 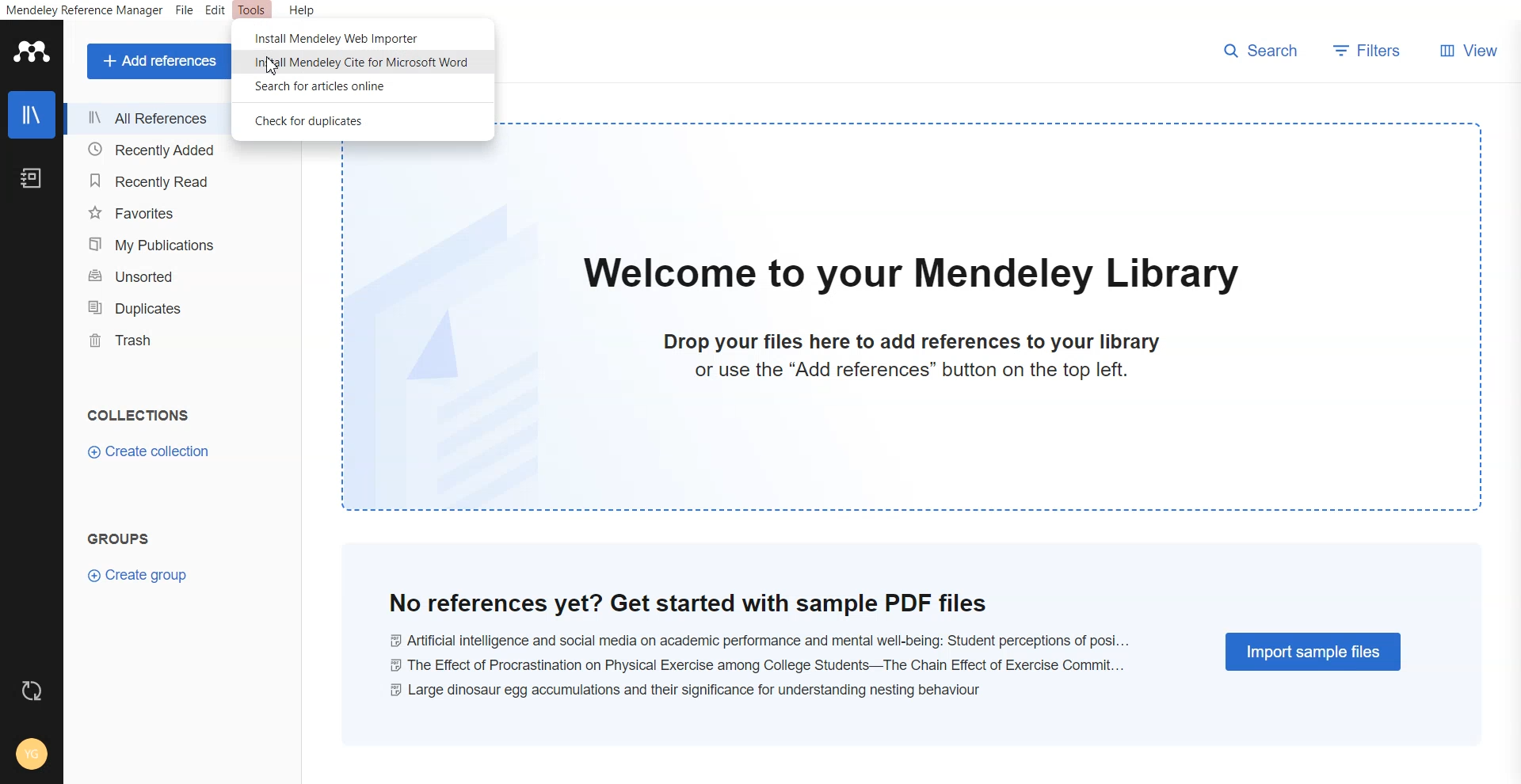 I want to click on collections, so click(x=139, y=414).